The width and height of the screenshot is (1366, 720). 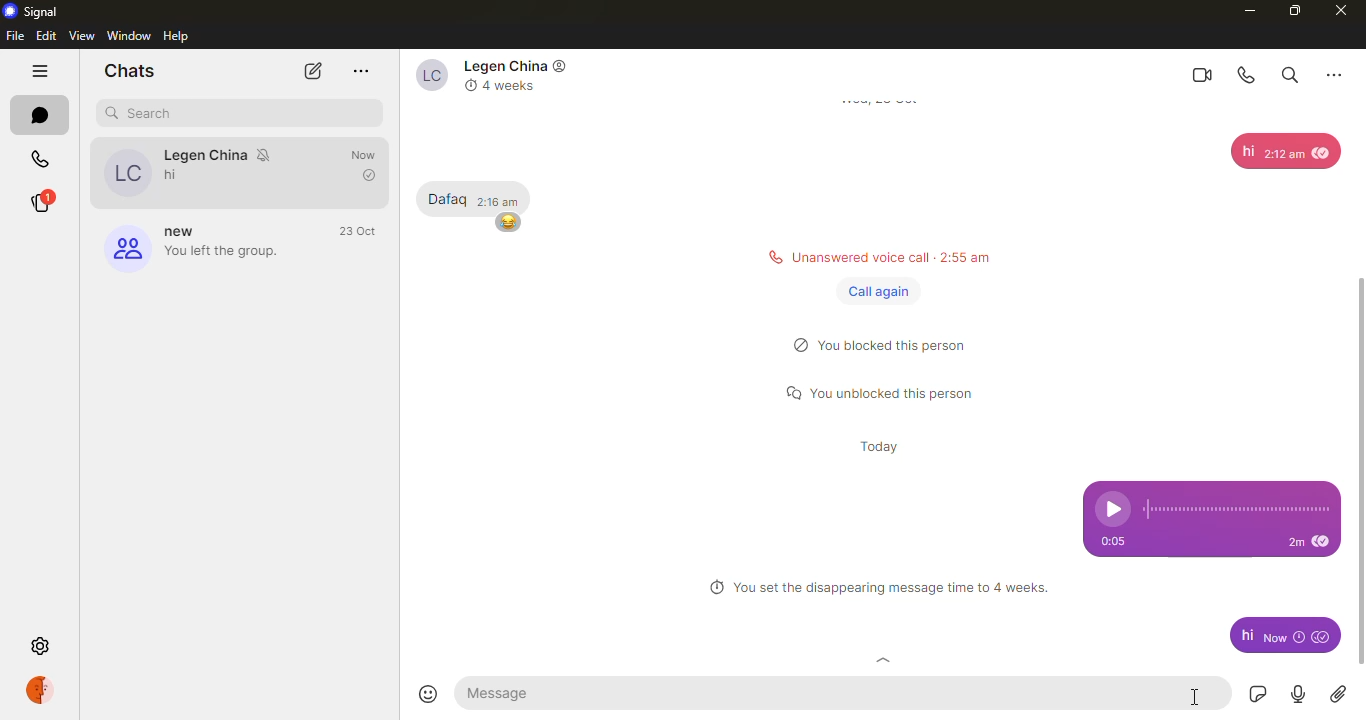 What do you see at coordinates (1293, 10) in the screenshot?
I see `maximize` at bounding box center [1293, 10].